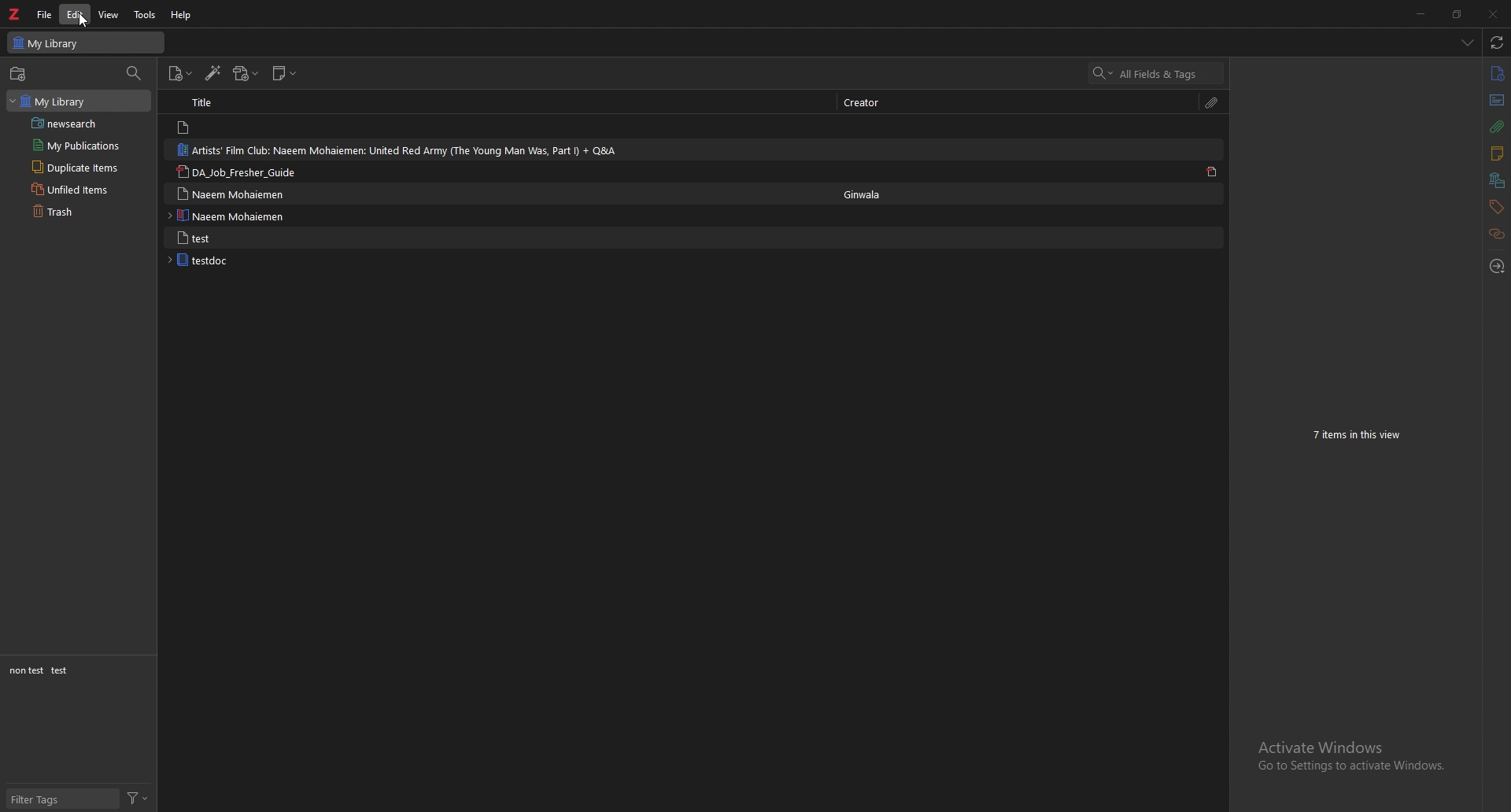 The width and height of the screenshot is (1511, 812). I want to click on new note, so click(285, 72).